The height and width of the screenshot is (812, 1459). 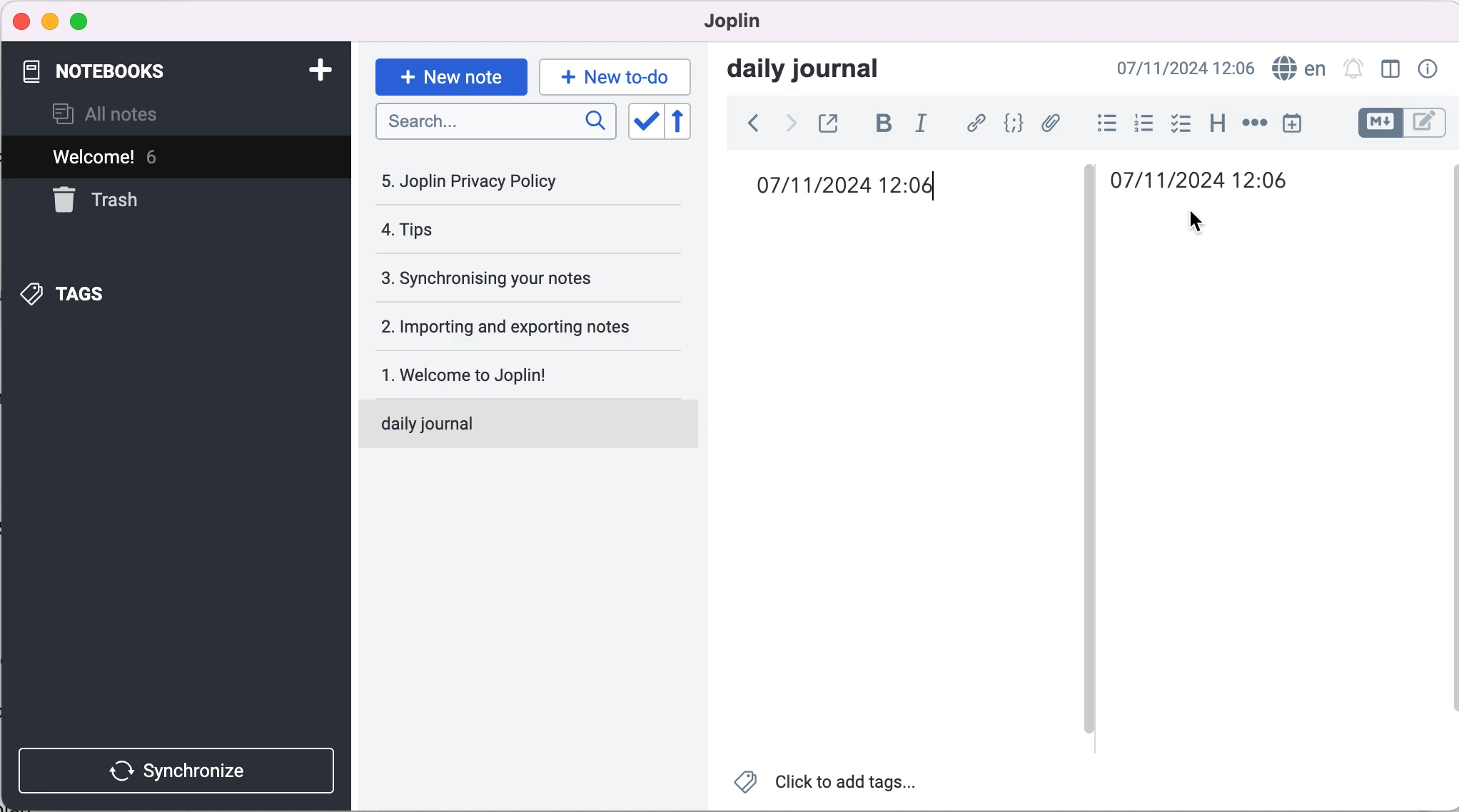 I want to click on click to add tags, so click(x=827, y=785).